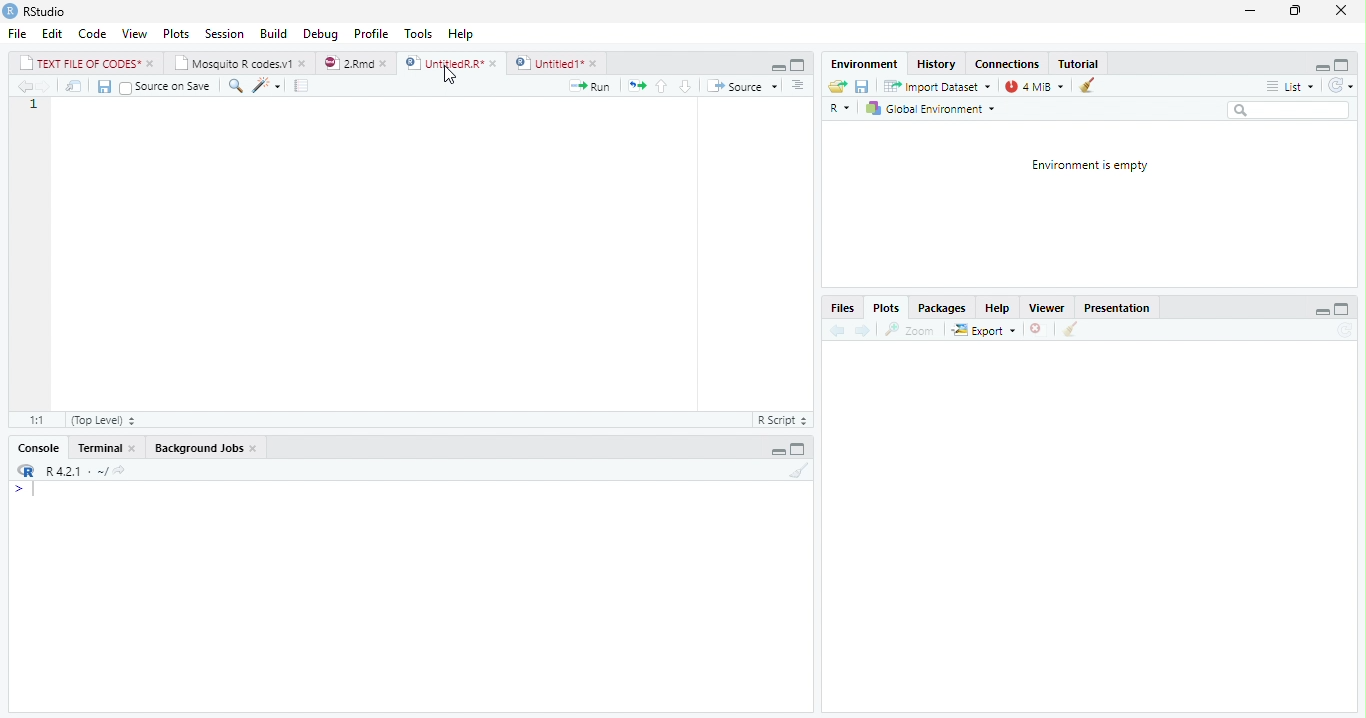 The height and width of the screenshot is (718, 1366). Describe the element at coordinates (937, 109) in the screenshot. I see ` Global Environment +` at that location.